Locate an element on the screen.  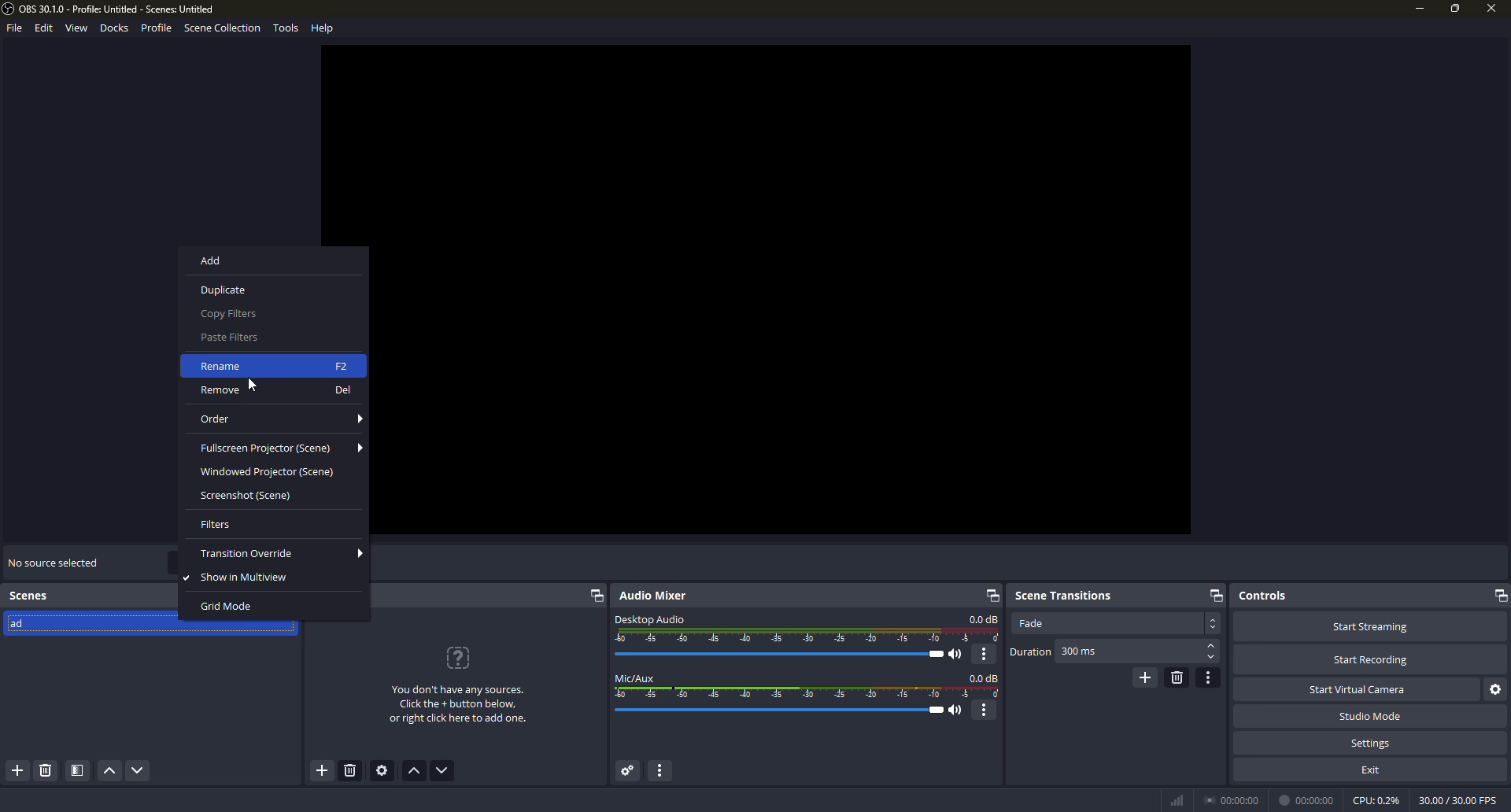
minimize is located at coordinates (1418, 9).